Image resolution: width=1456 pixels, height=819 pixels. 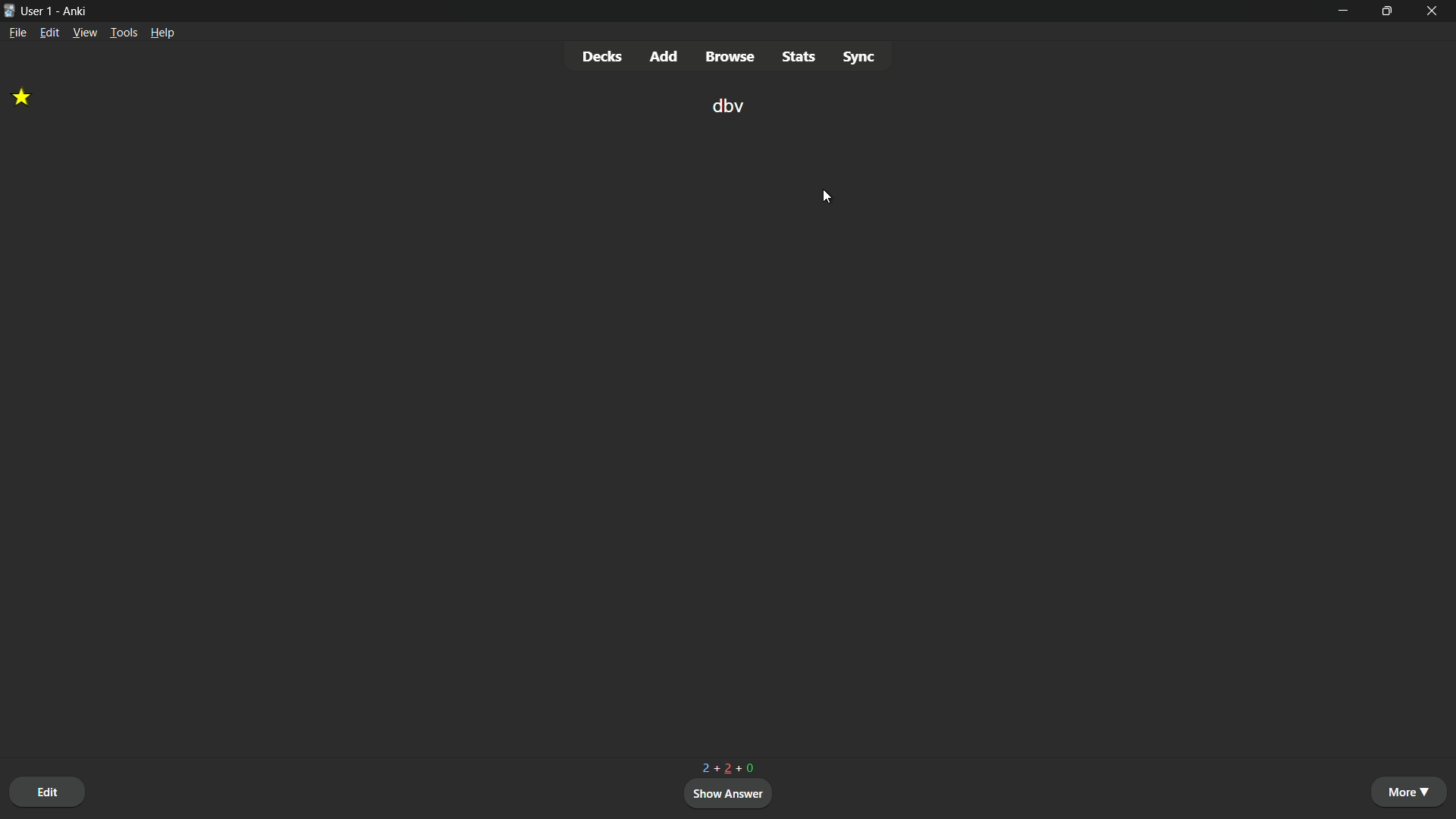 What do you see at coordinates (163, 32) in the screenshot?
I see `help` at bounding box center [163, 32].